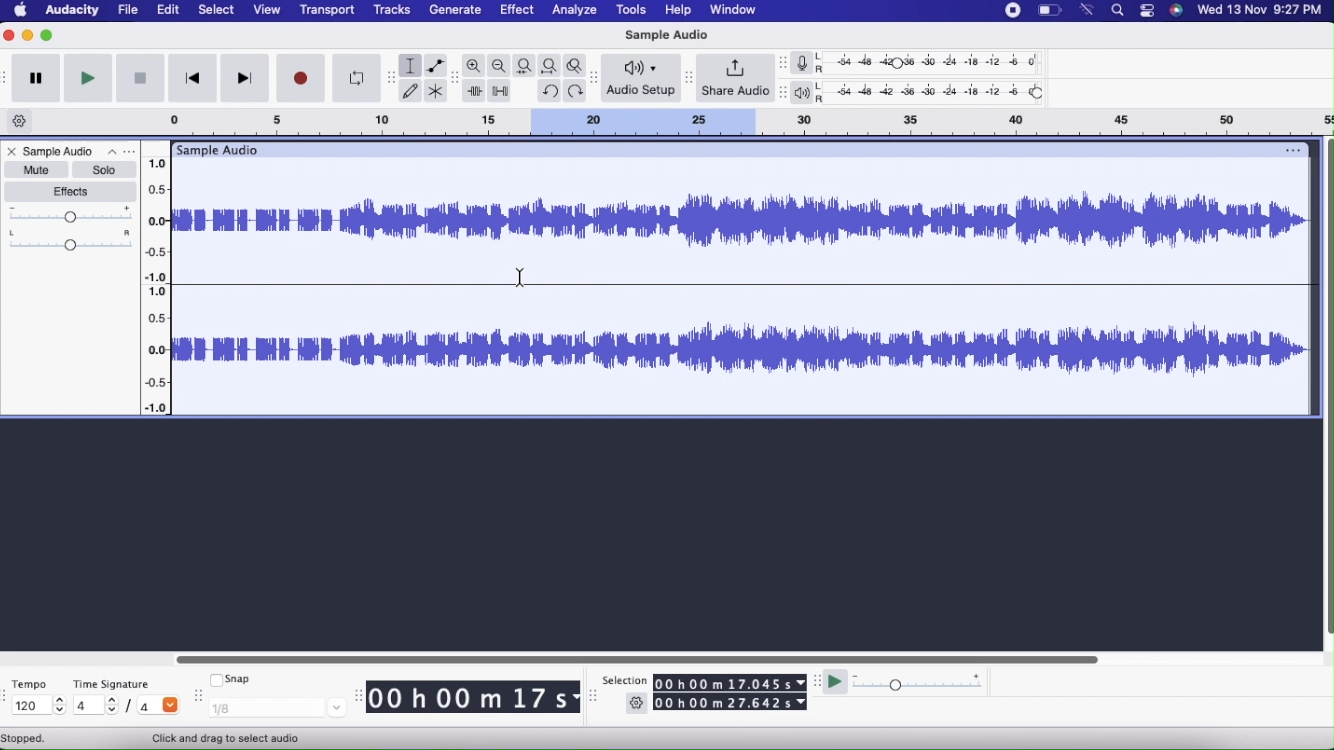 Image resolution: width=1334 pixels, height=750 pixels. What do you see at coordinates (631, 11) in the screenshot?
I see `Tools` at bounding box center [631, 11].